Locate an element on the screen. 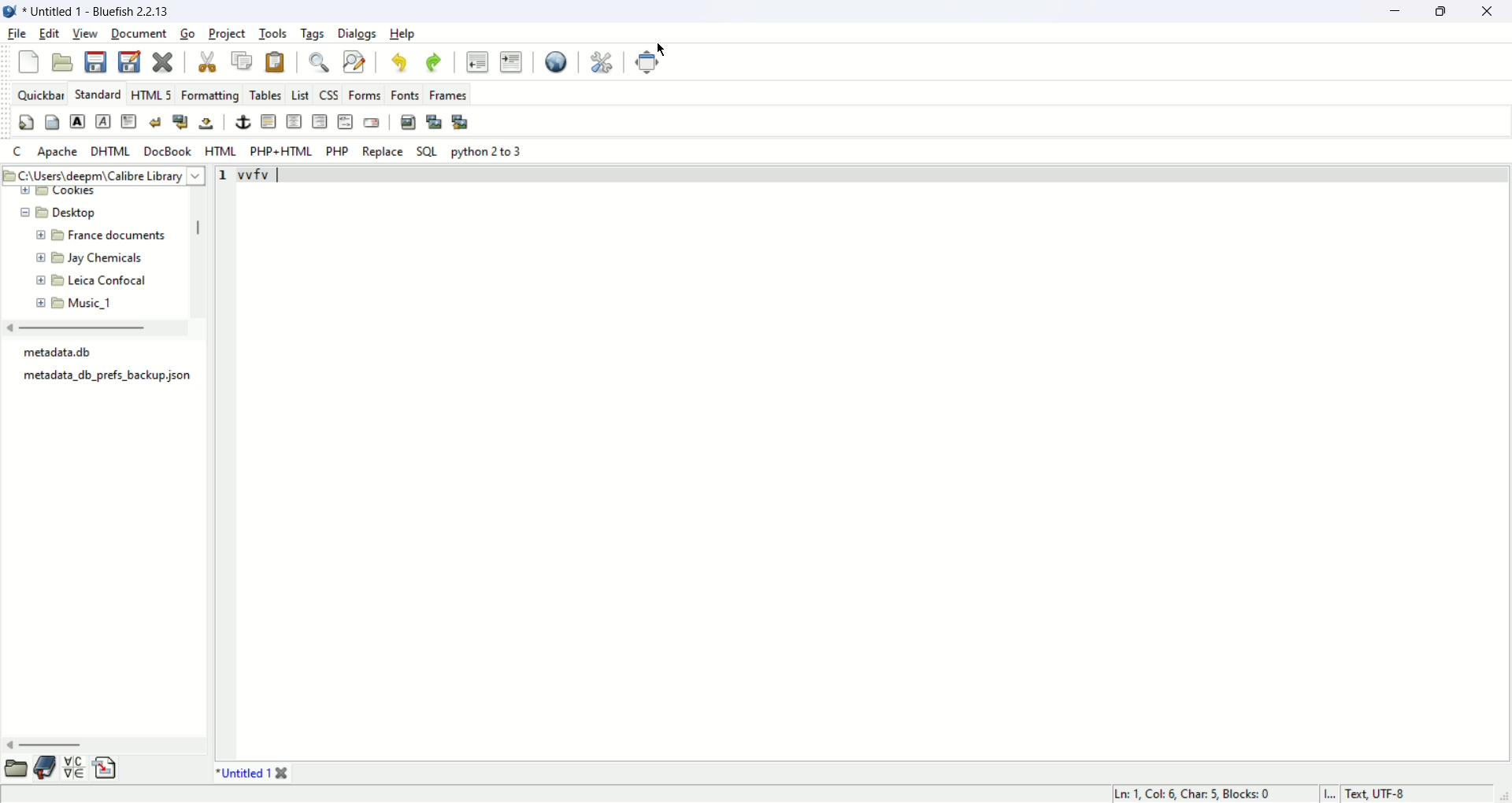 This screenshot has height=803, width=1512. C:\Users\deepm\Calibre Library is located at coordinates (100, 176).